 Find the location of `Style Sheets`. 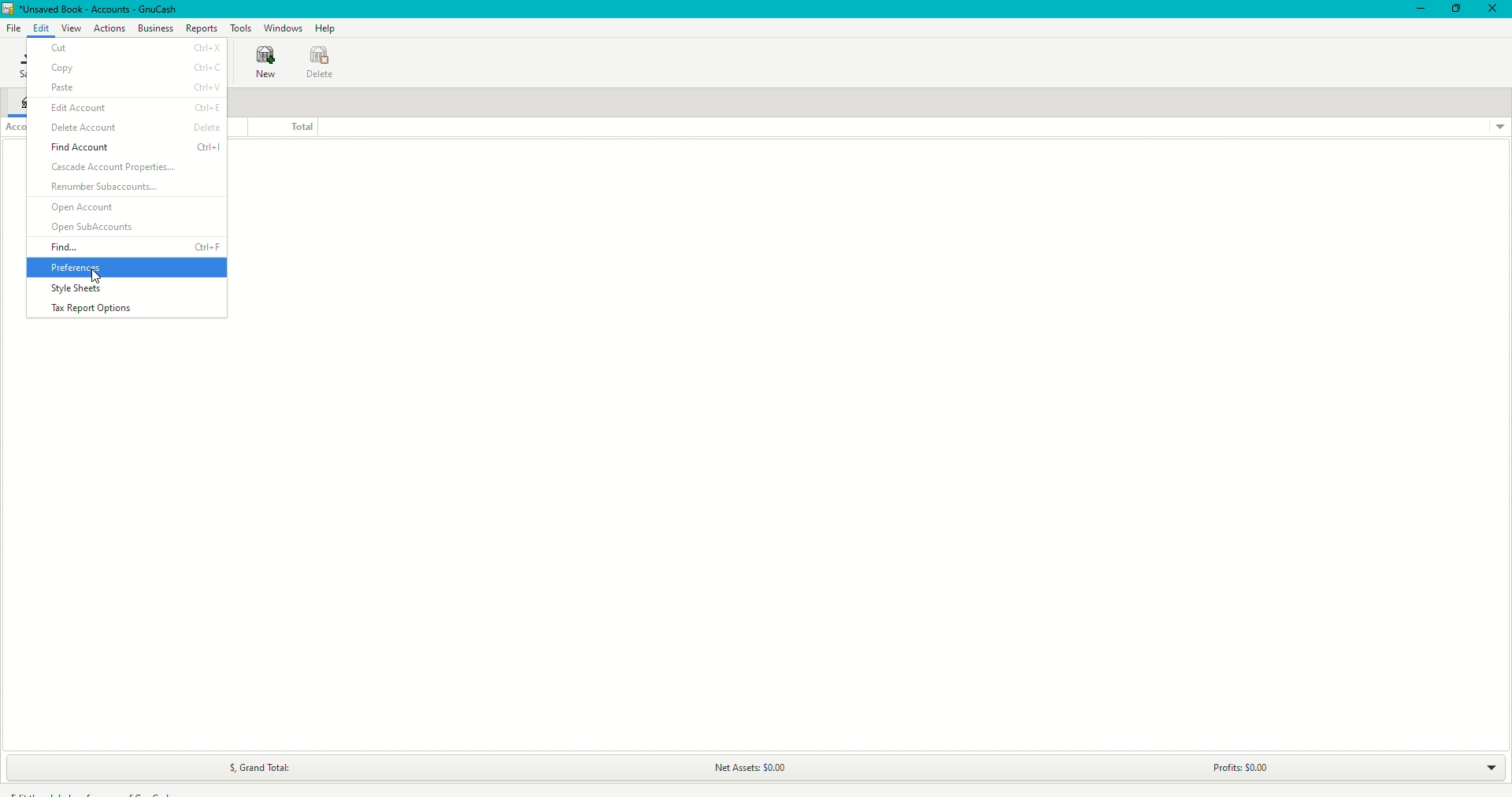

Style Sheets is located at coordinates (76, 290).